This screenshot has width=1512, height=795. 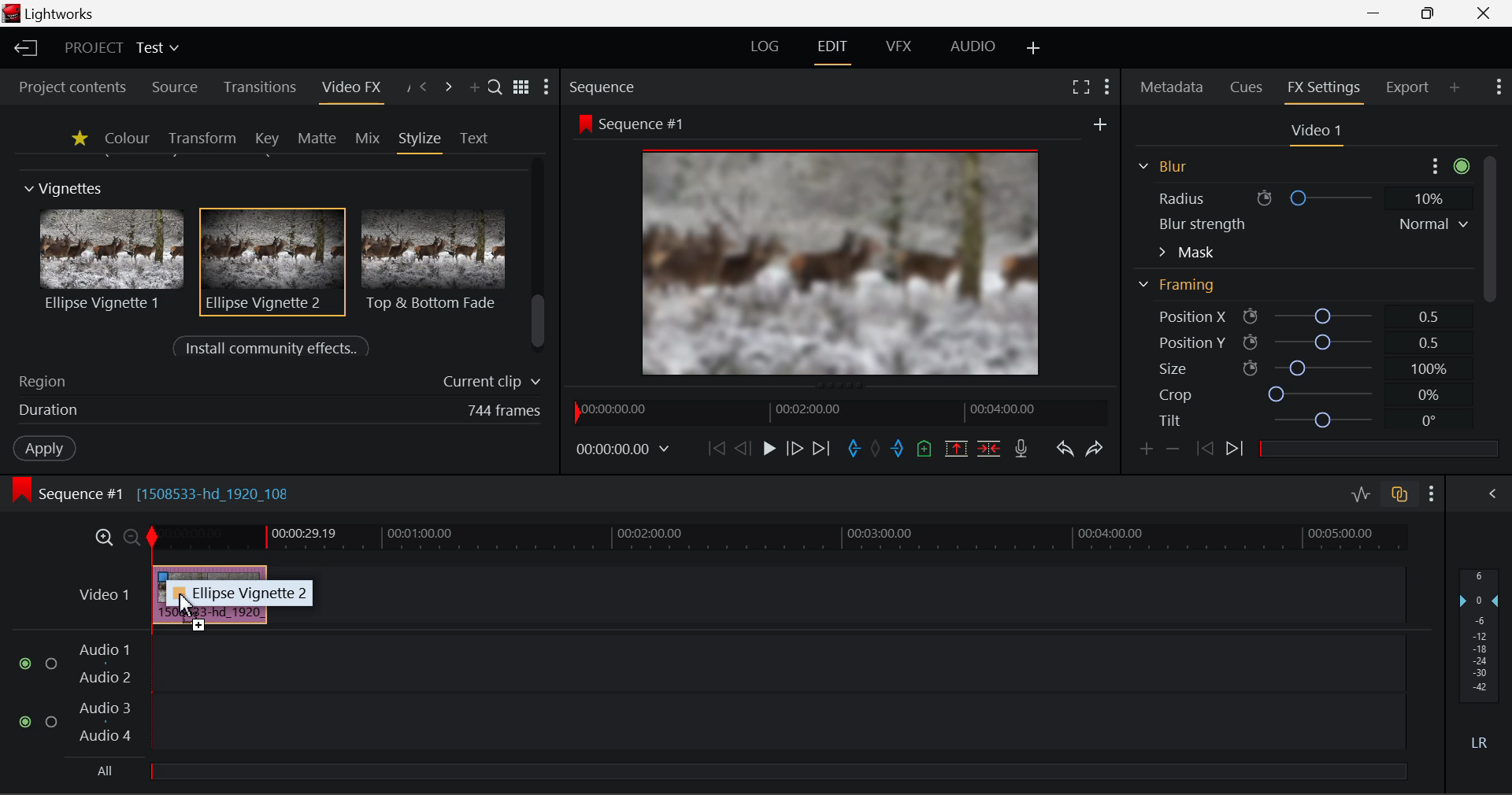 What do you see at coordinates (1187, 252) in the screenshot?
I see `Mask` at bounding box center [1187, 252].